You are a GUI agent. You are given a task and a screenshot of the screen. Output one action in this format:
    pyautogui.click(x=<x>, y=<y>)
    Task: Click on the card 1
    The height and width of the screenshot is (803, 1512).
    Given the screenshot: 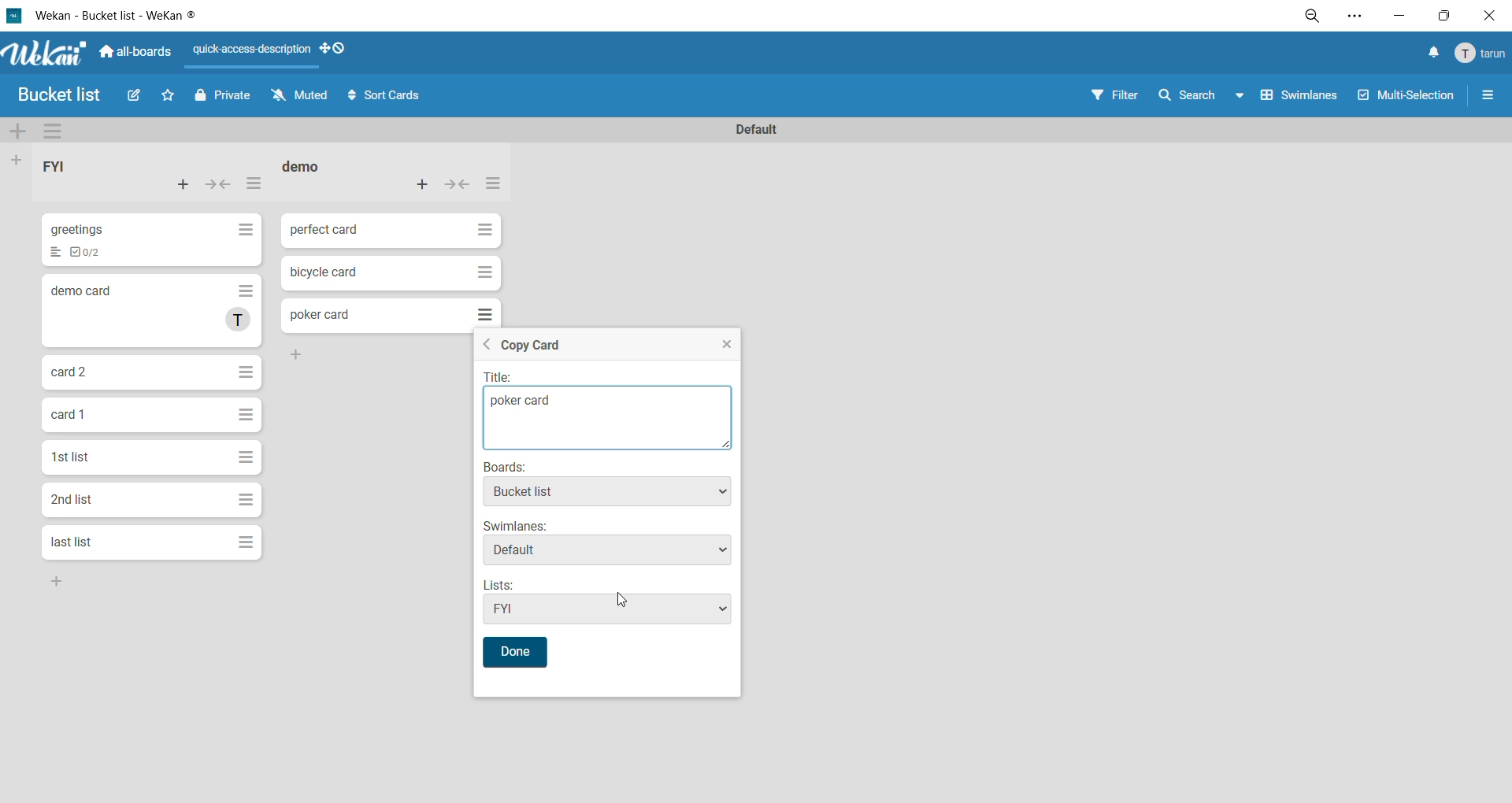 What is the action you would take?
    pyautogui.click(x=68, y=412)
    